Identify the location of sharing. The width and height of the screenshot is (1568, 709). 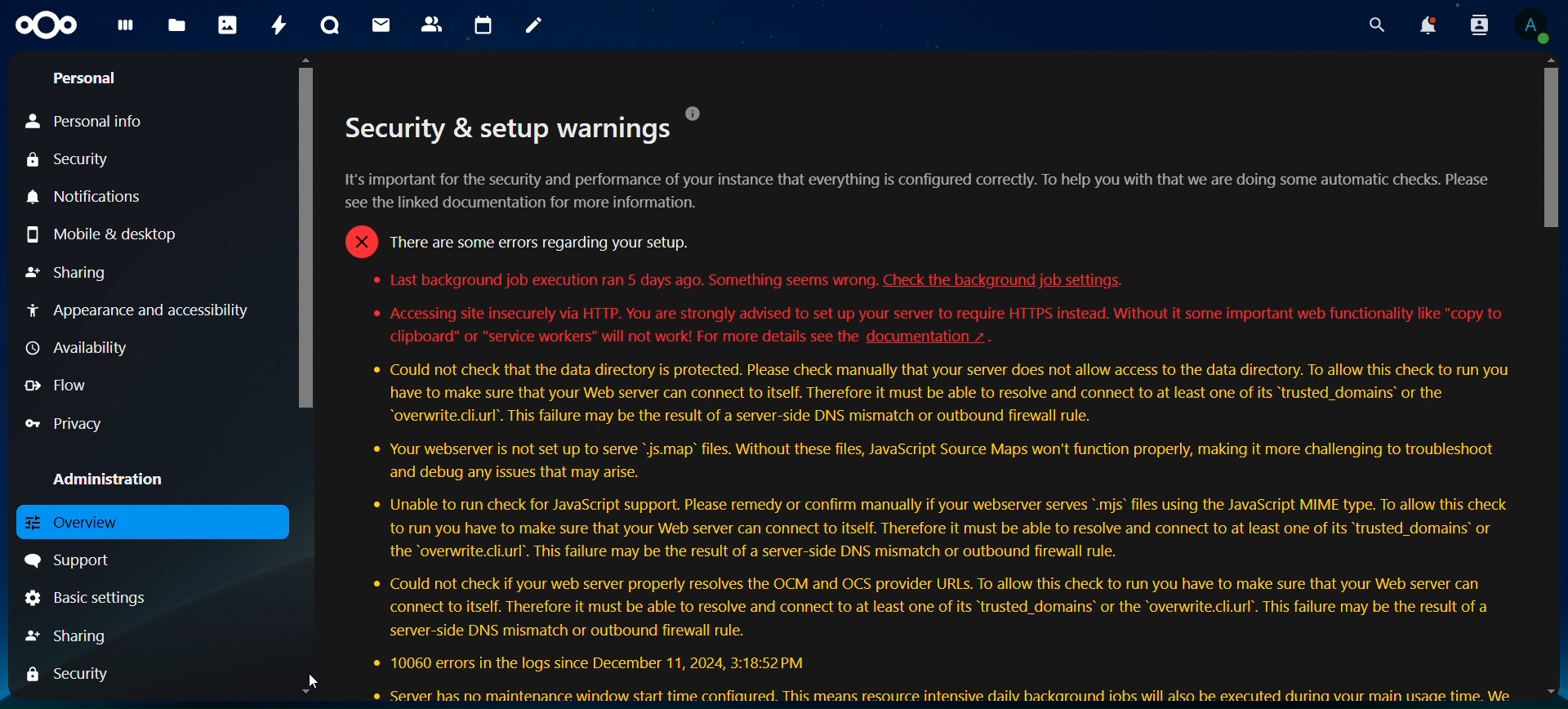
(73, 636).